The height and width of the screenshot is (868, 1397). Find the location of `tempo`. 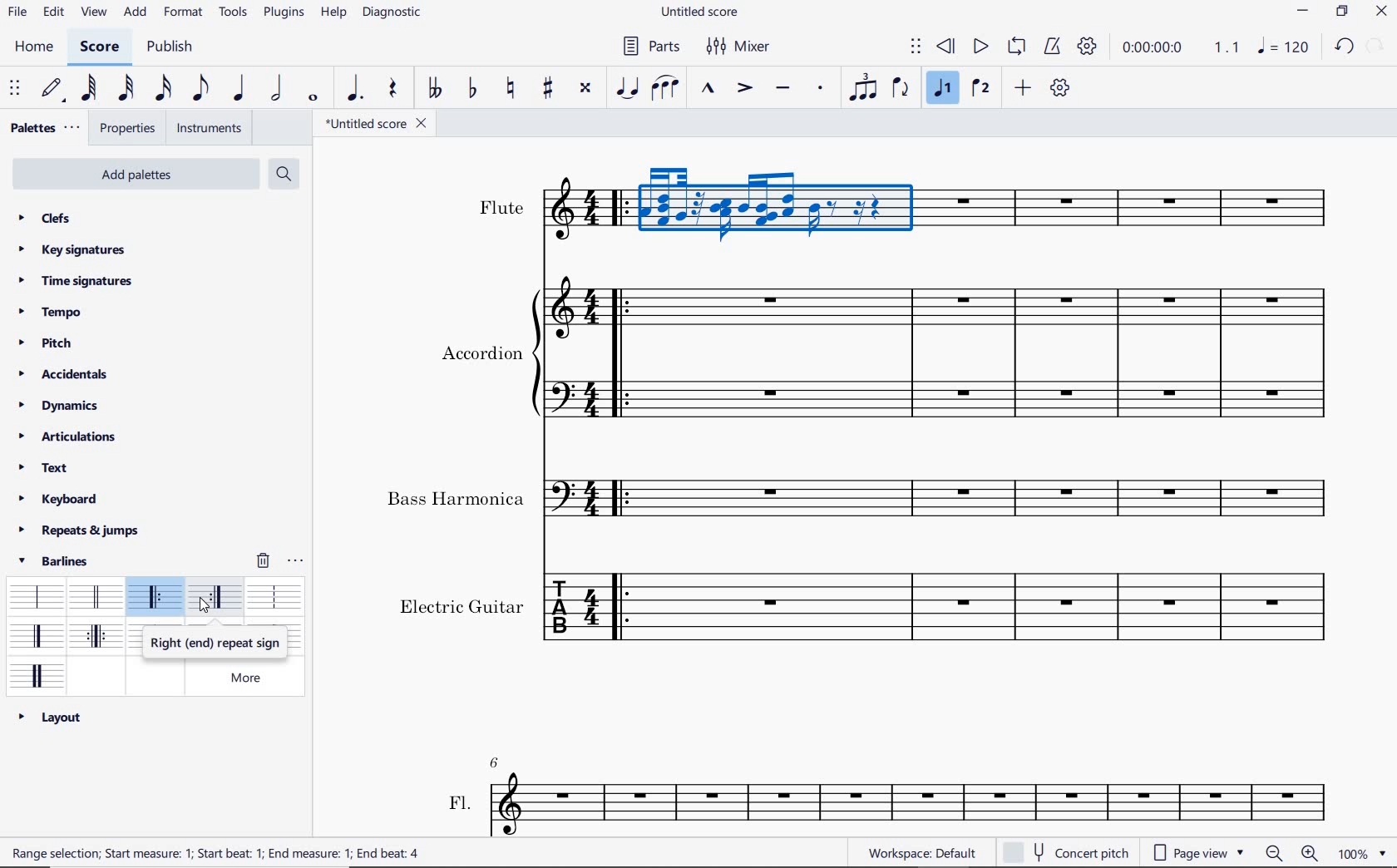

tempo is located at coordinates (51, 311).